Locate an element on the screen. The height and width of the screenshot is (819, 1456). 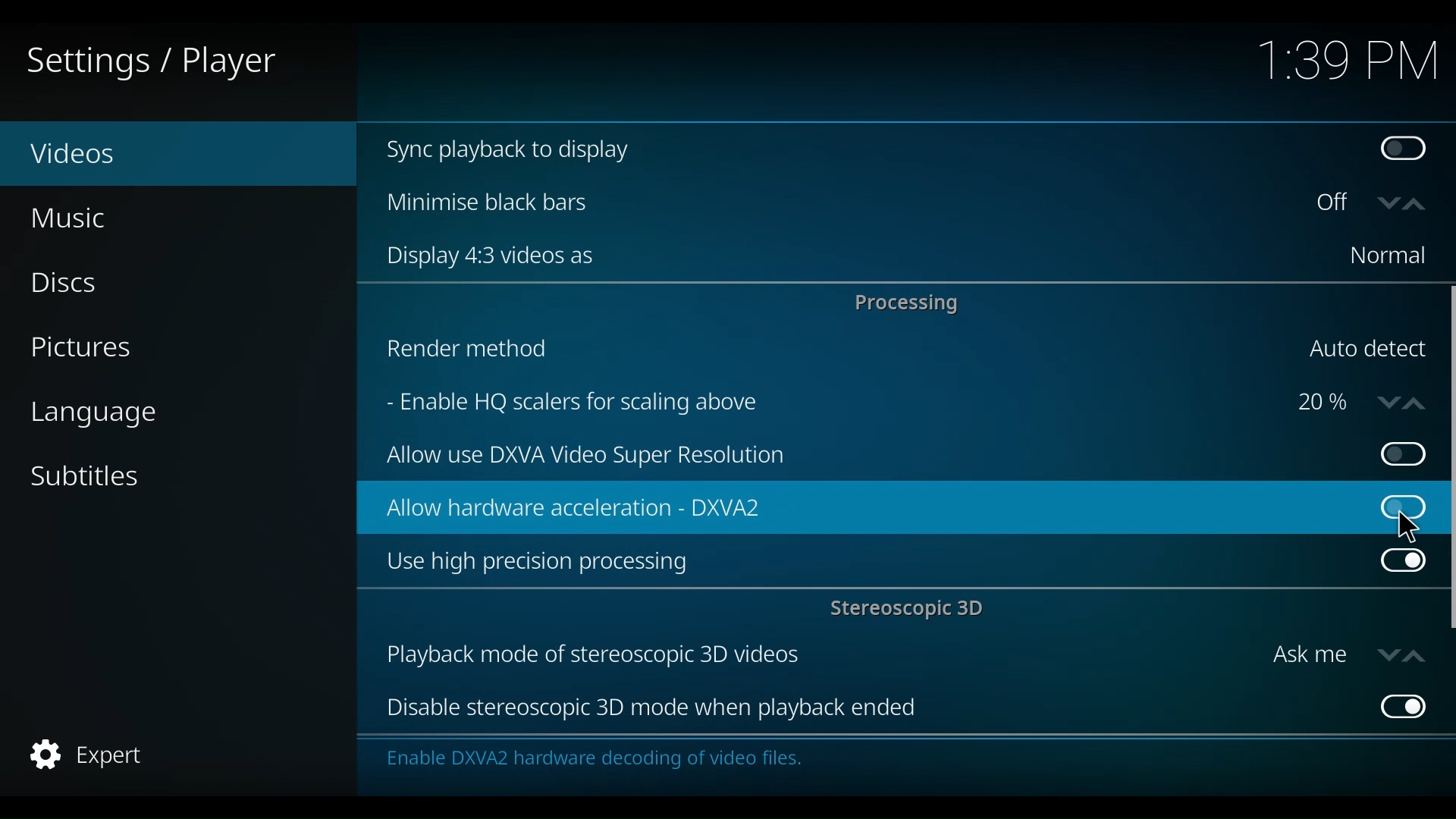
Toggle on/off Use high precision processing is located at coordinates (1402, 563).